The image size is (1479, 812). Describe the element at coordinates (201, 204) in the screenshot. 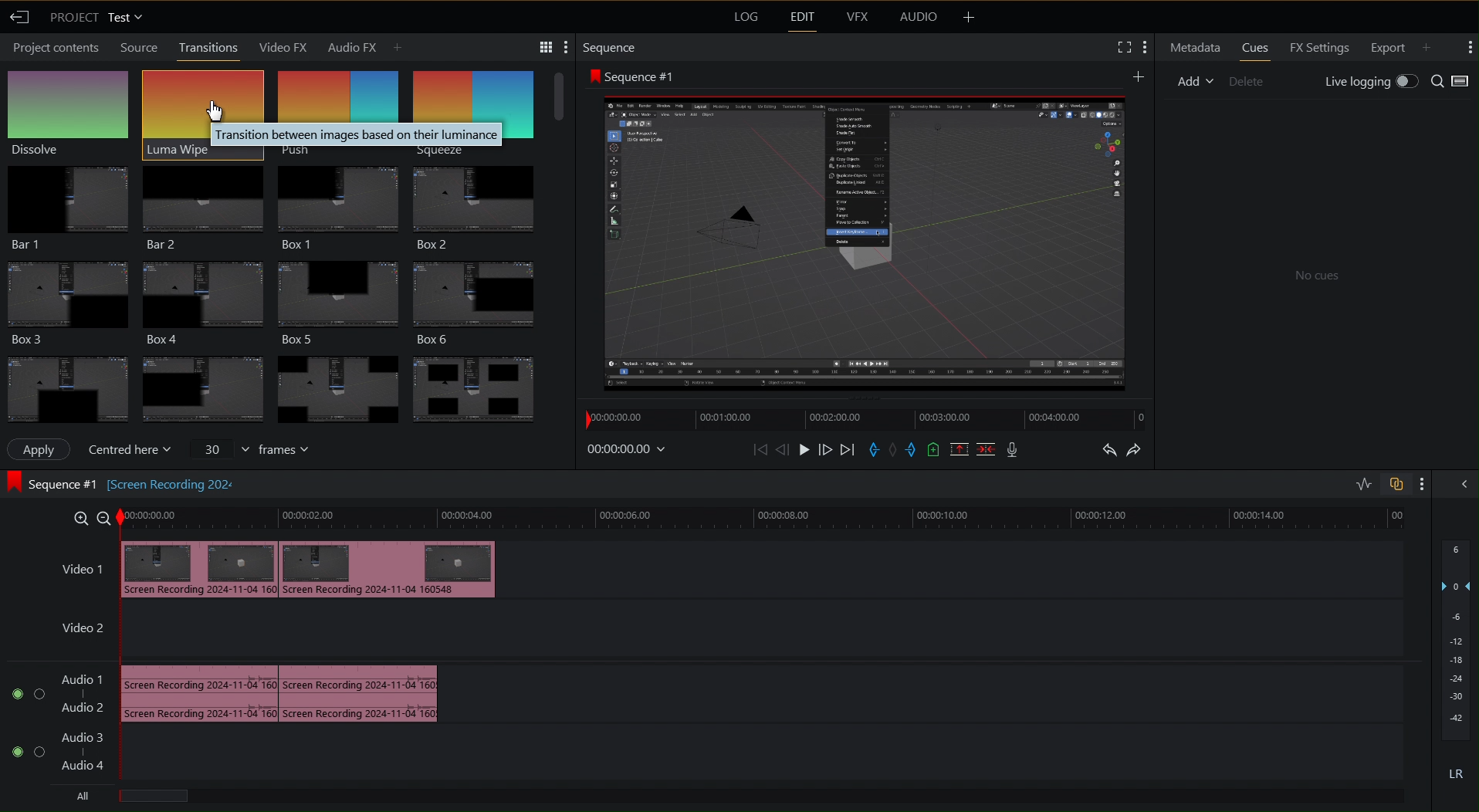

I see `Bar 2` at that location.